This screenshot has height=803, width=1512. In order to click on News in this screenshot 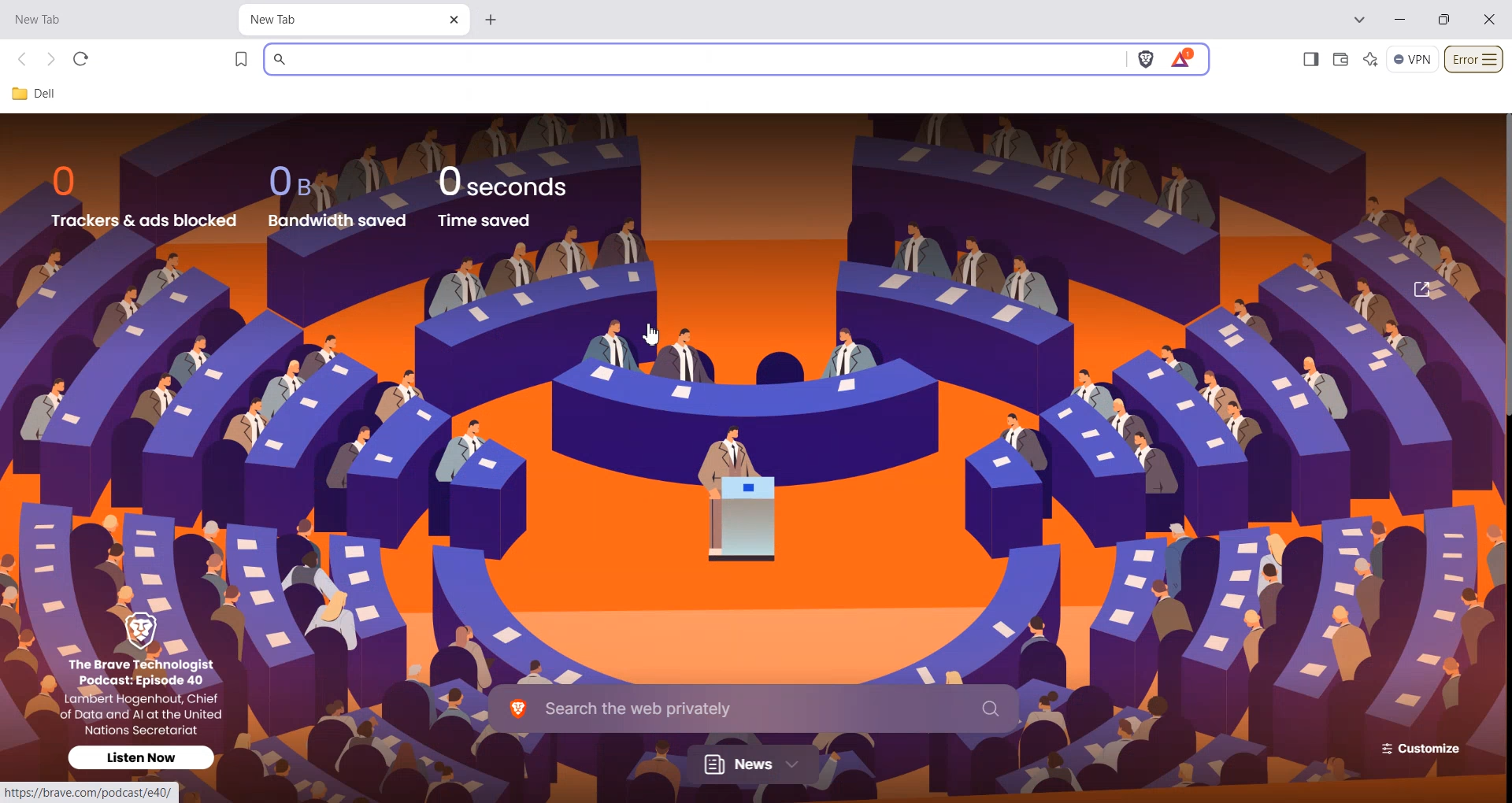, I will do `click(755, 764)`.